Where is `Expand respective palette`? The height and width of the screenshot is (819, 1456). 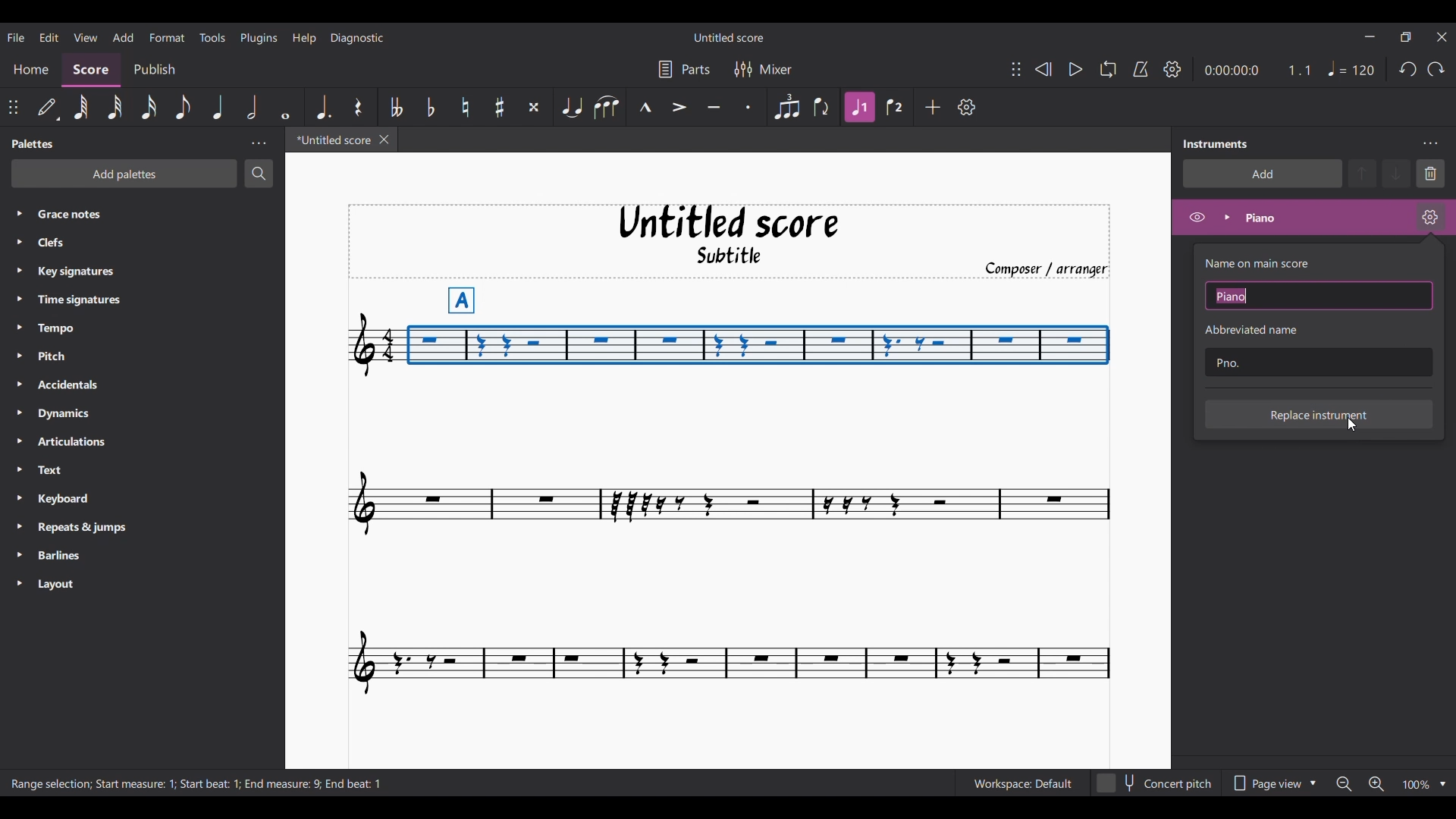
Expand respective palette is located at coordinates (14, 398).